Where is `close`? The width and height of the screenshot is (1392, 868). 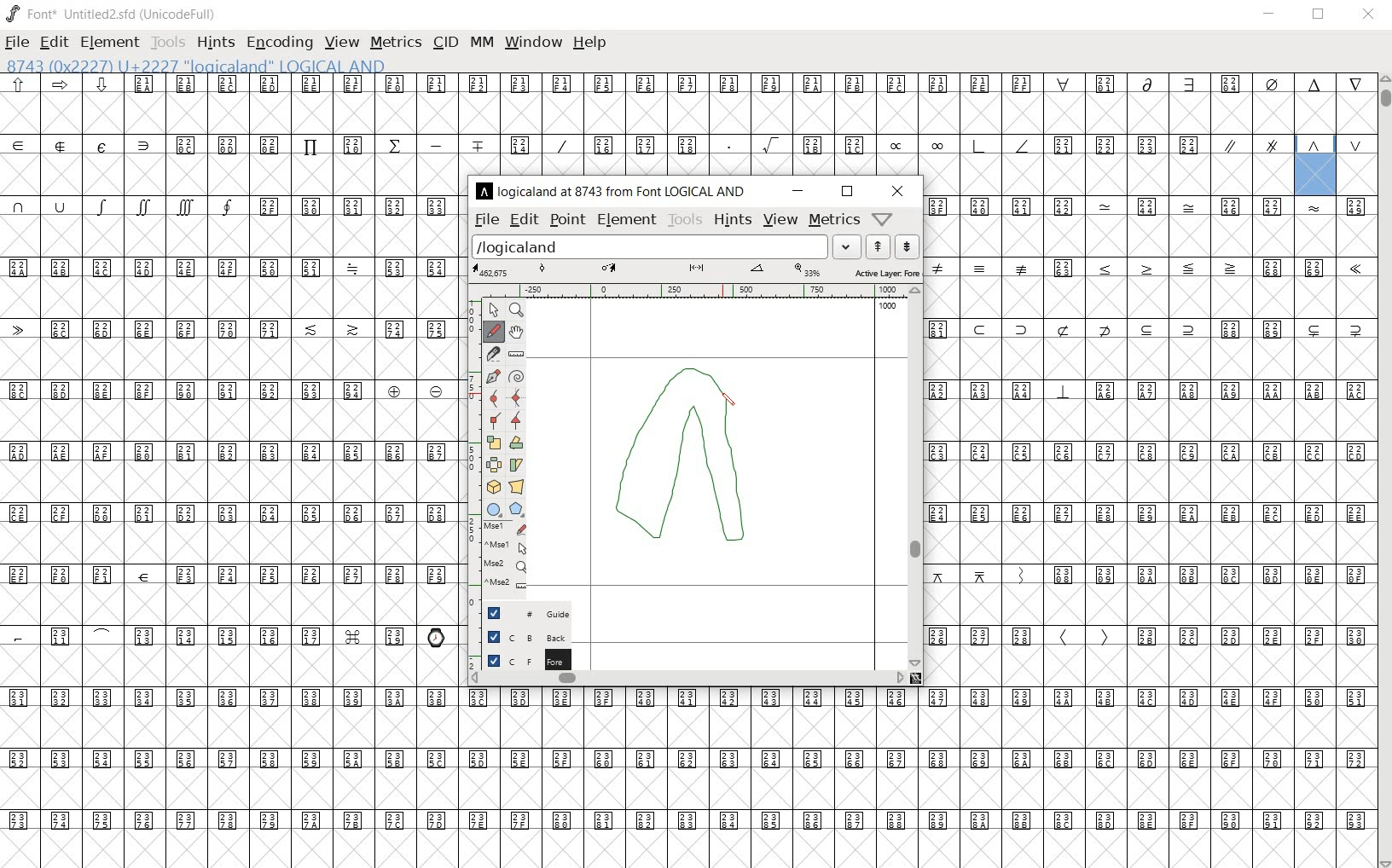
close is located at coordinates (1372, 14).